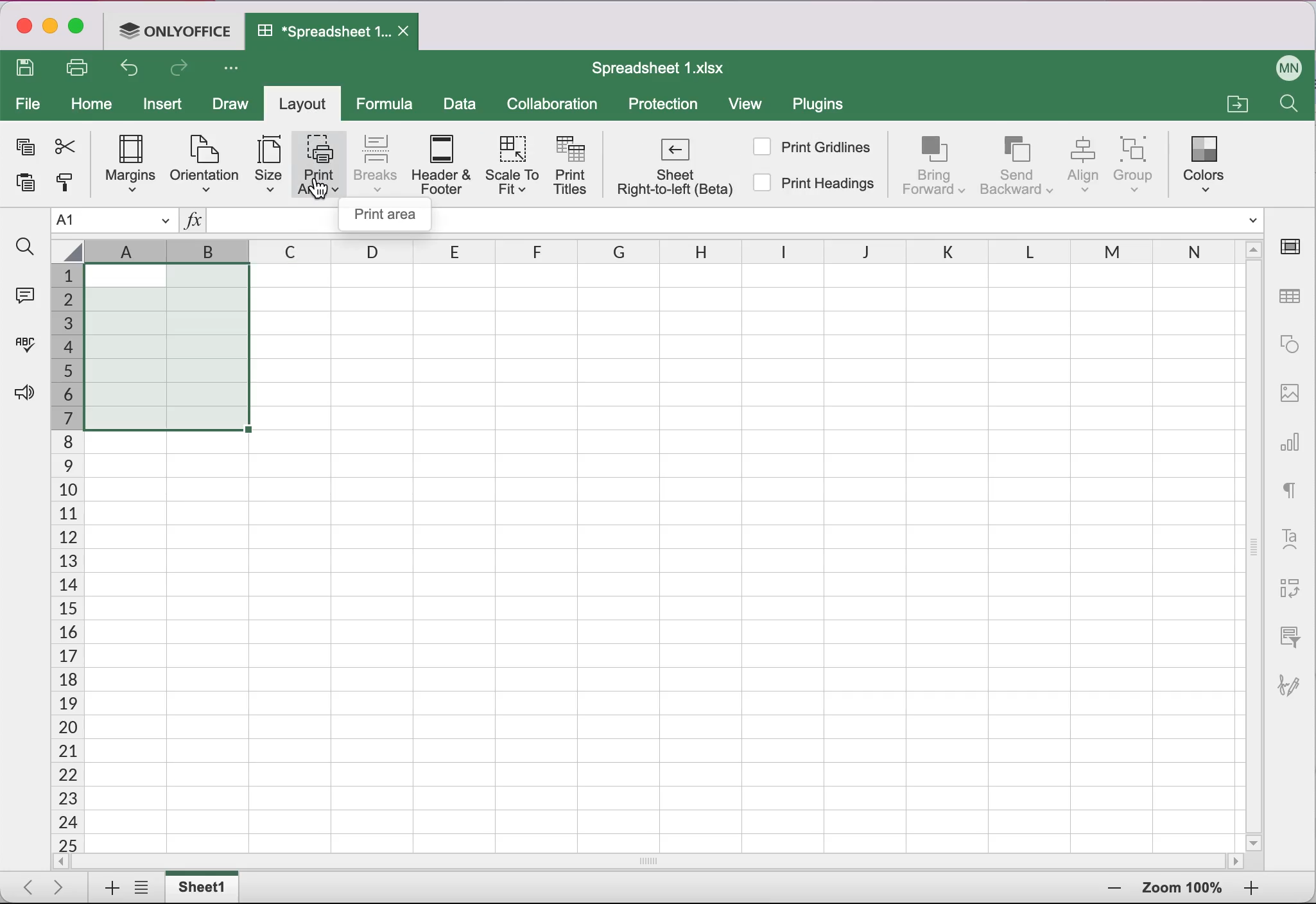 This screenshot has width=1316, height=904. What do you see at coordinates (29, 69) in the screenshot?
I see `save` at bounding box center [29, 69].